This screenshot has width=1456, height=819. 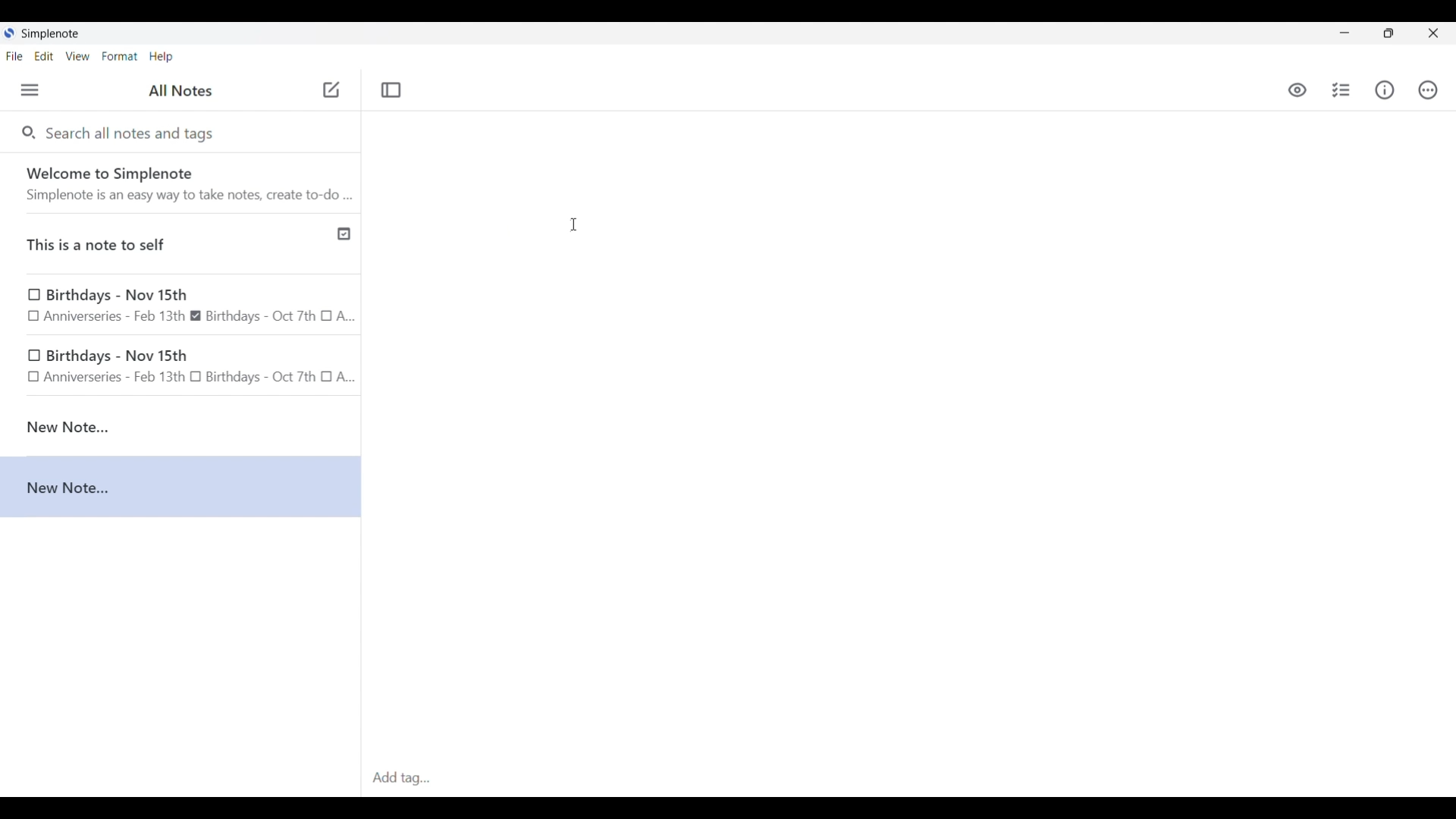 I want to click on Insert checklist, so click(x=1342, y=90).